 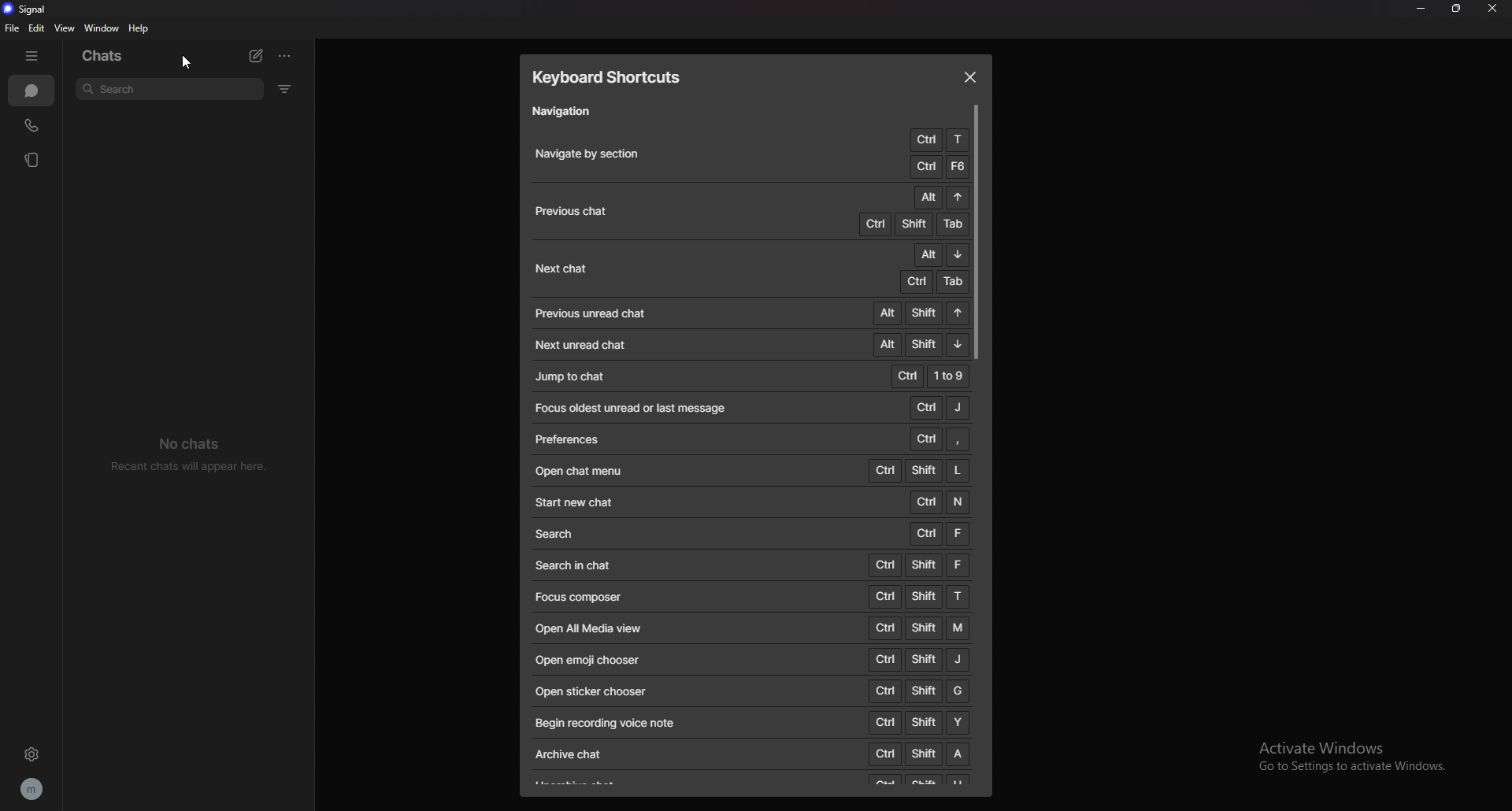 I want to click on focus oldest unread of last message, so click(x=637, y=407).